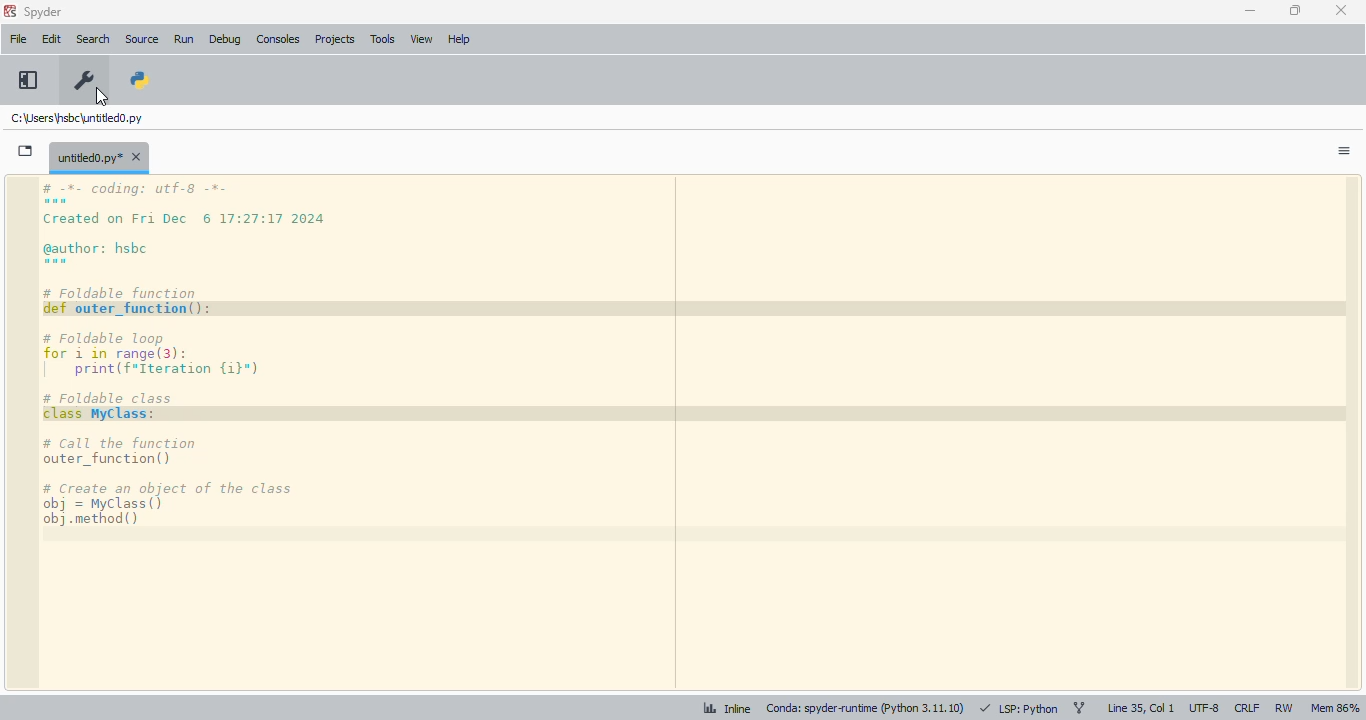  Describe the element at coordinates (1141, 708) in the screenshot. I see `line 35, col 1` at that location.